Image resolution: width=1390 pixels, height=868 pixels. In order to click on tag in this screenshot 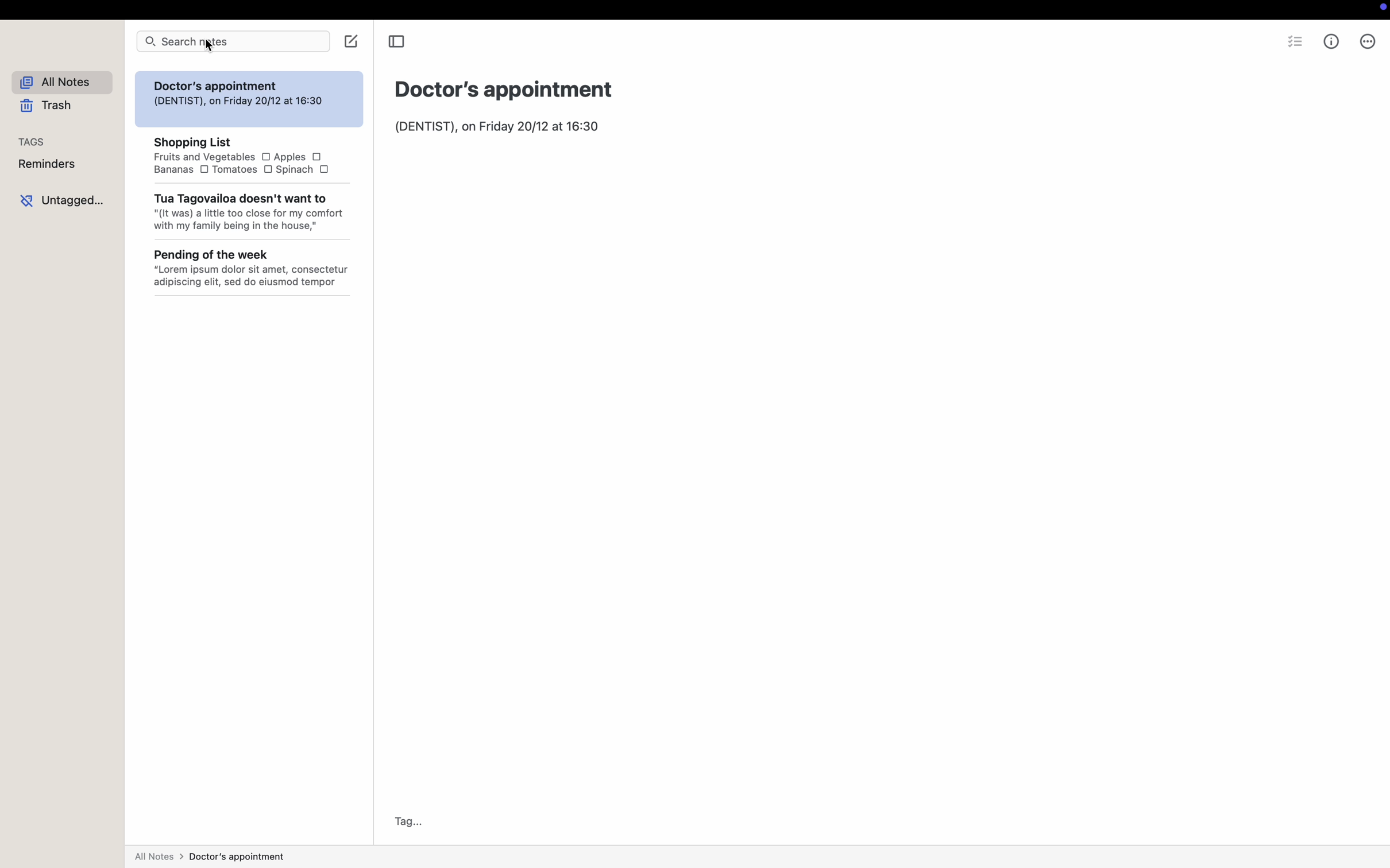, I will do `click(405, 821)`.